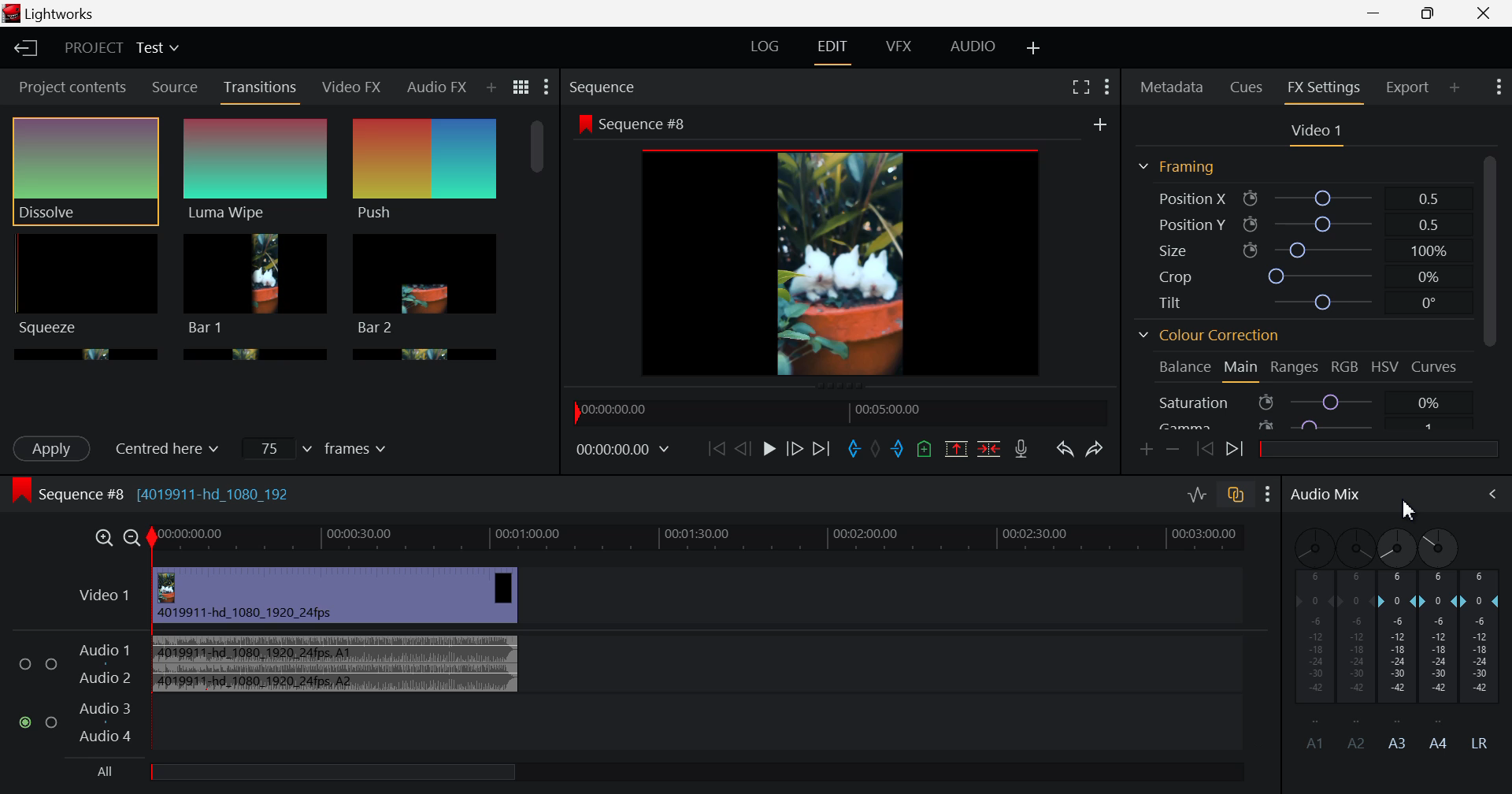 The width and height of the screenshot is (1512, 794). Describe the element at coordinates (1096, 451) in the screenshot. I see `Redo` at that location.